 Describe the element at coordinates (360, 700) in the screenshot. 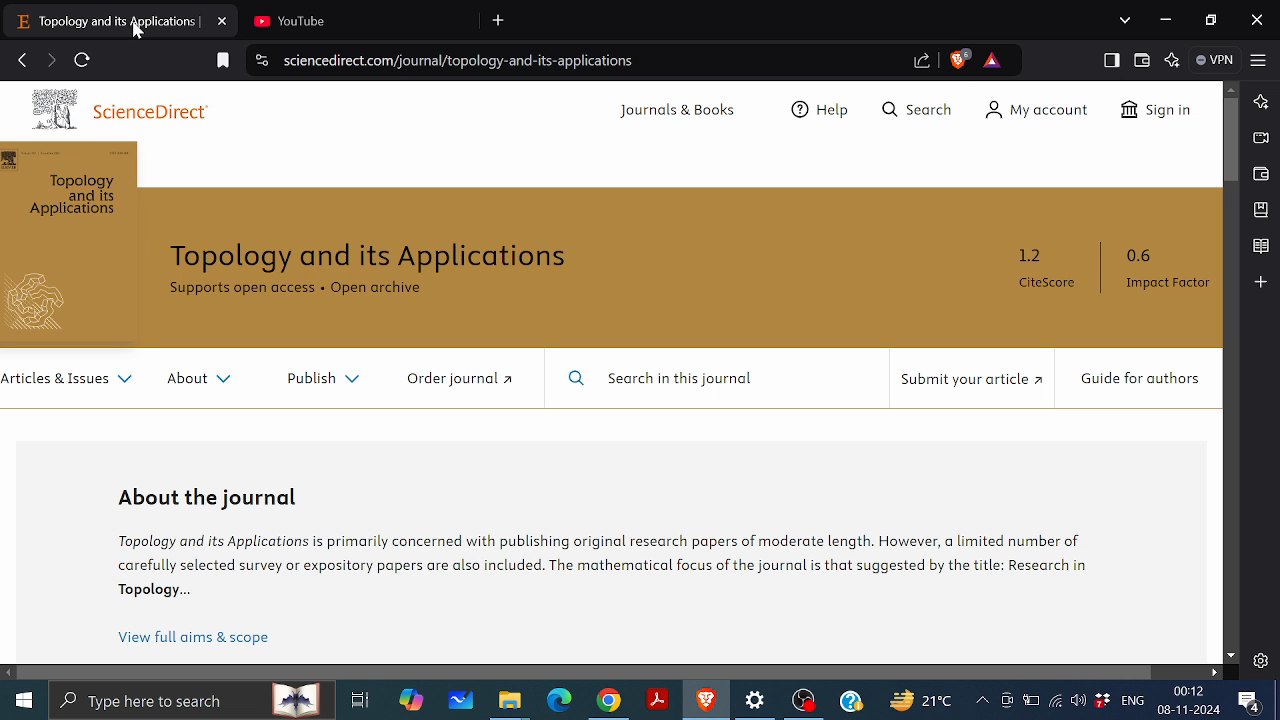

I see `Task view` at that location.